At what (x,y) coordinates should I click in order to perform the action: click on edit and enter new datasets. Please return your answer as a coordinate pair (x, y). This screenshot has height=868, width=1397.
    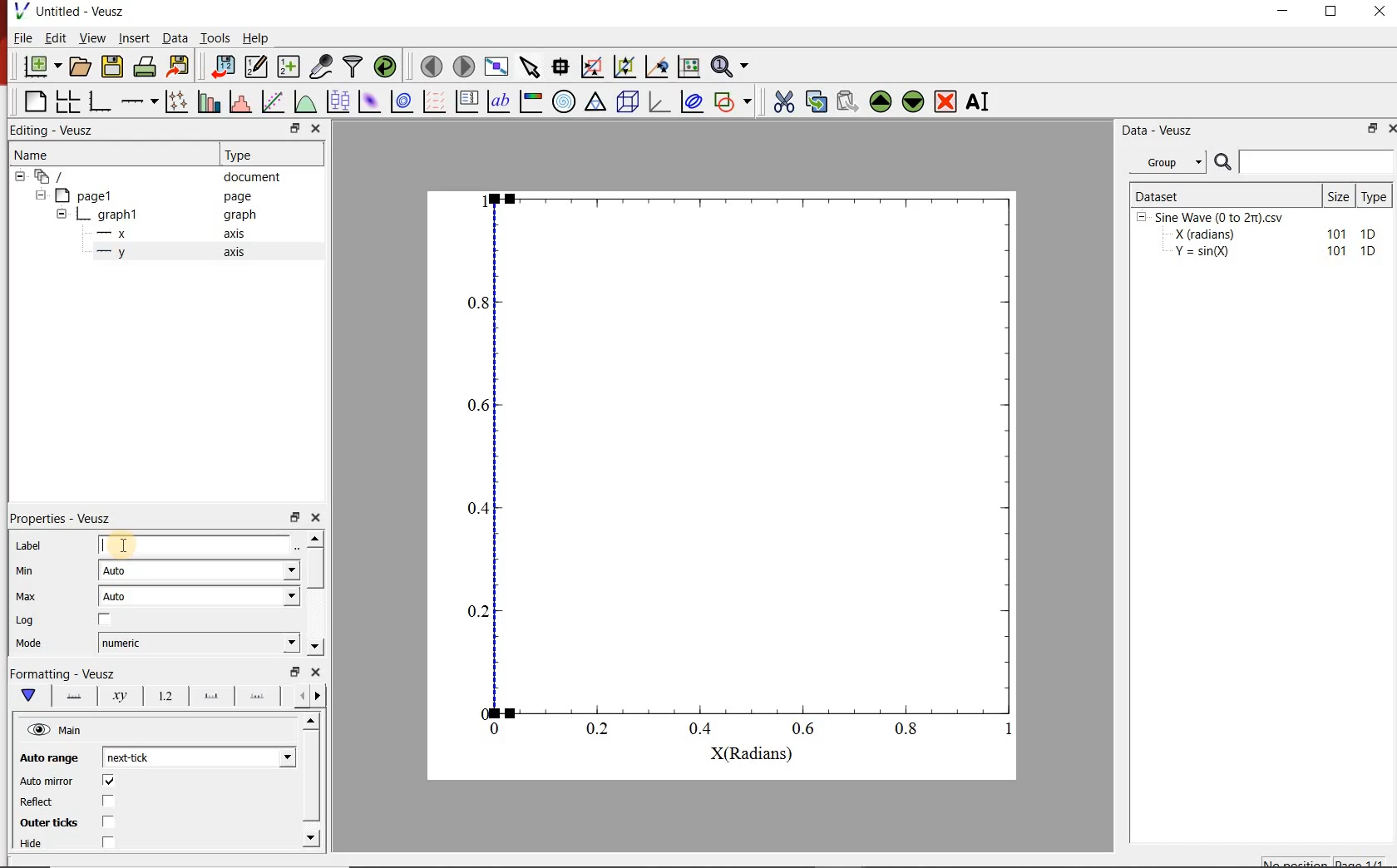
    Looking at the image, I should click on (257, 67).